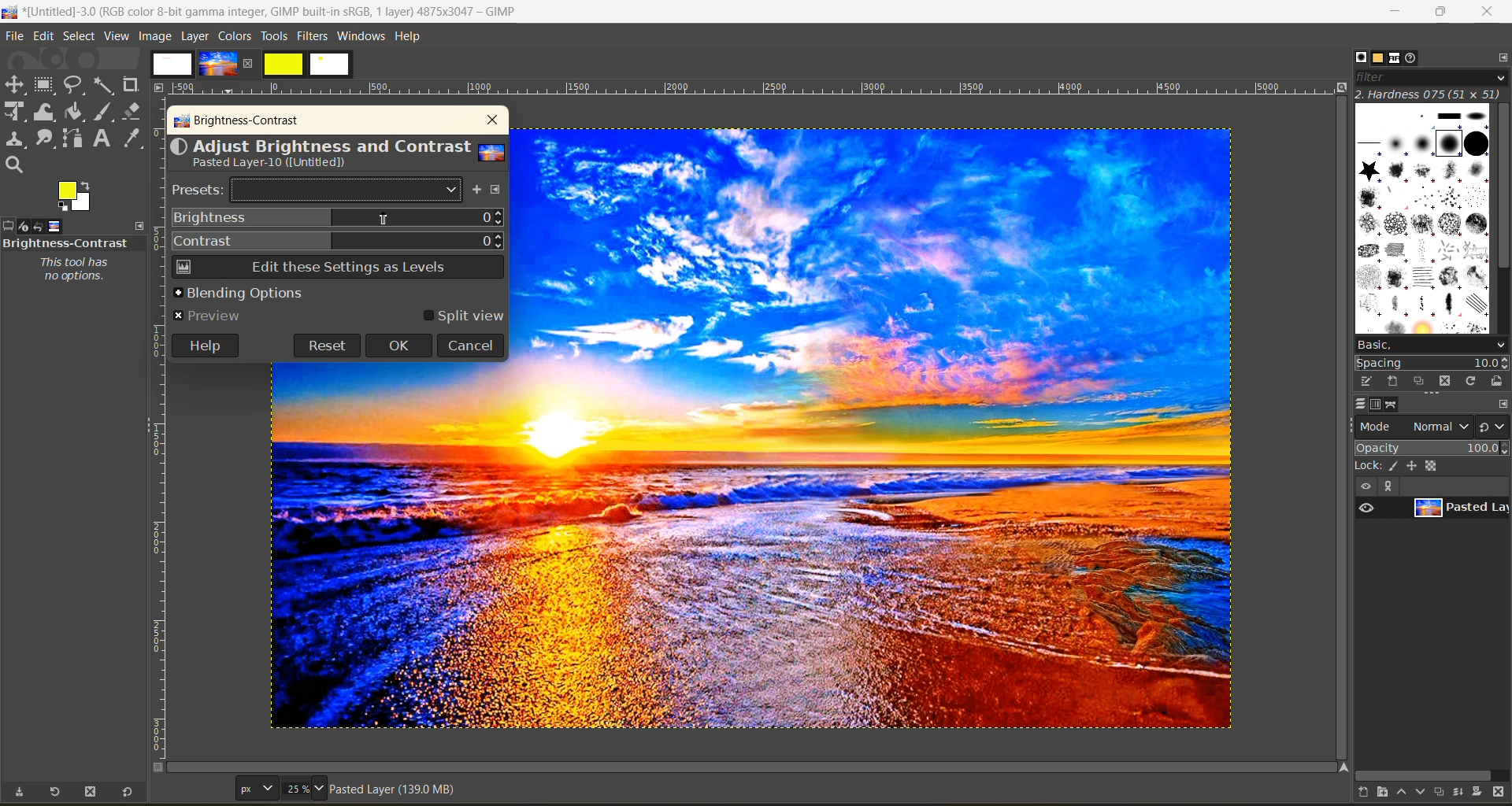 This screenshot has height=806, width=1512. I want to click on fonts, so click(1399, 60).